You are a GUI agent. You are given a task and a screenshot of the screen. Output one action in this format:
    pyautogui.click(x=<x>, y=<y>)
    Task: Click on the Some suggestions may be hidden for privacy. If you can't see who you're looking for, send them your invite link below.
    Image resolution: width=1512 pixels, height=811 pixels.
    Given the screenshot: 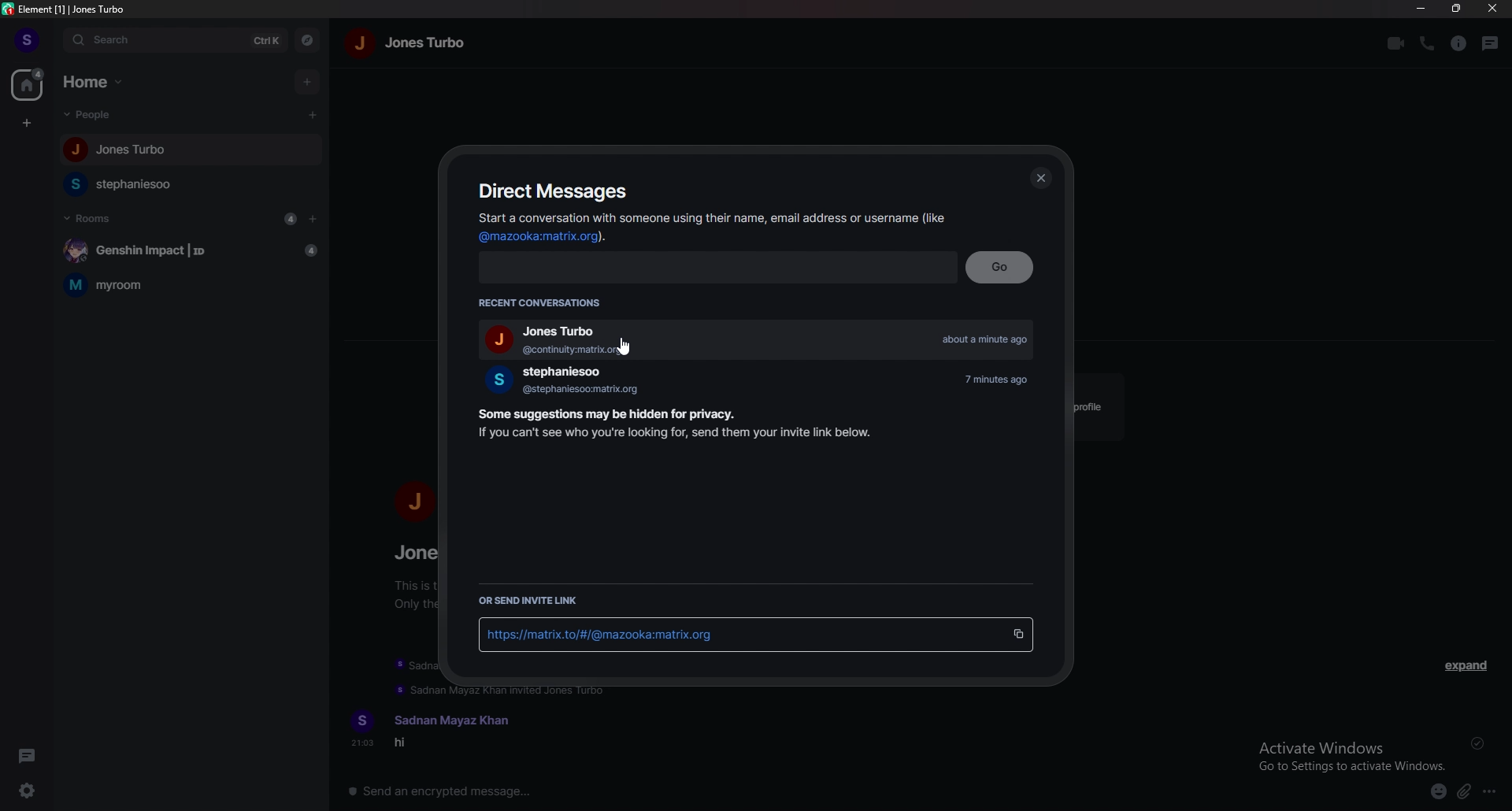 What is the action you would take?
    pyautogui.click(x=669, y=427)
    